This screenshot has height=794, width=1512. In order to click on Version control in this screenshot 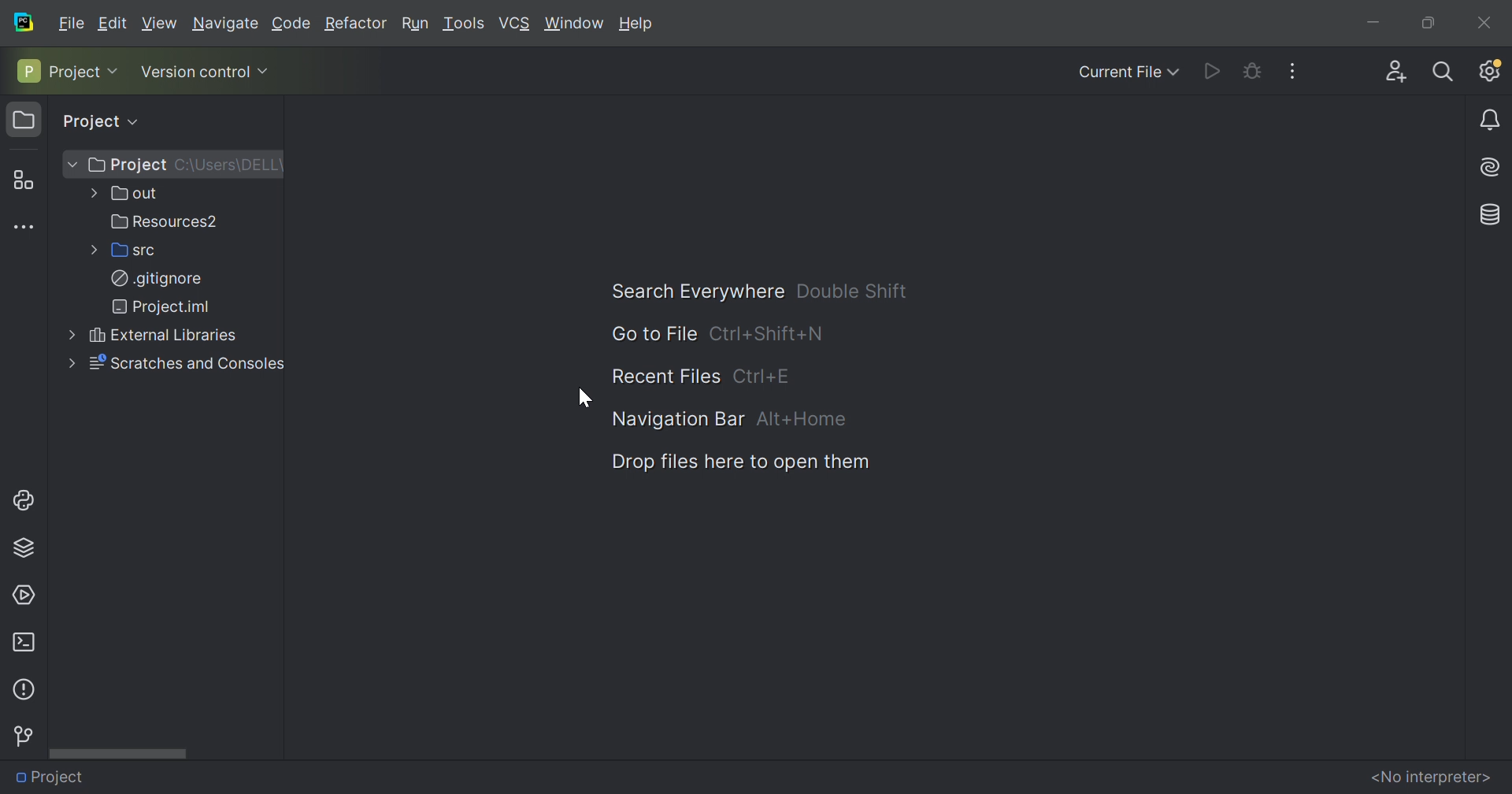, I will do `click(22, 736)`.